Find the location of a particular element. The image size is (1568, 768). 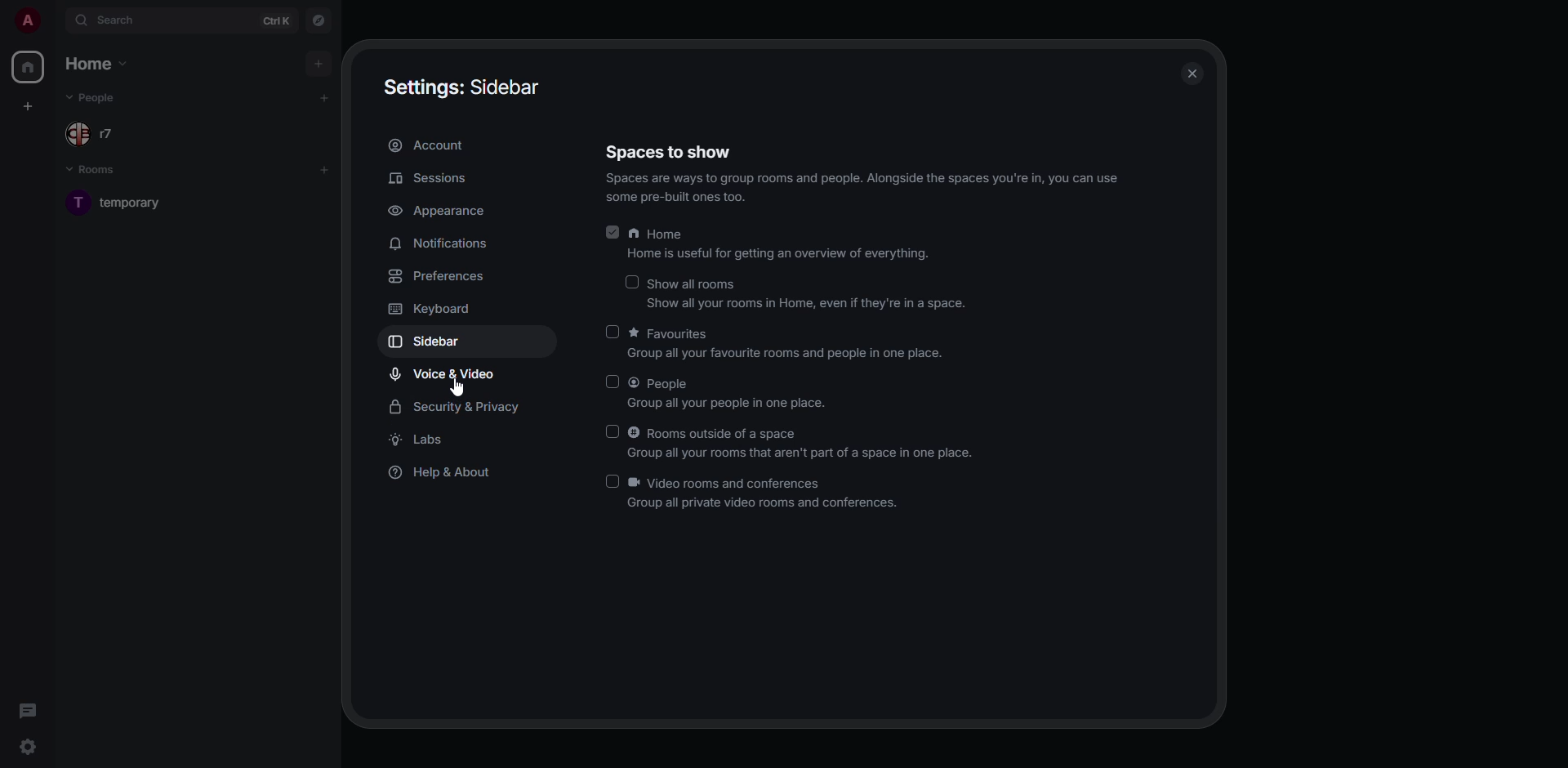

security & privacy is located at coordinates (454, 408).